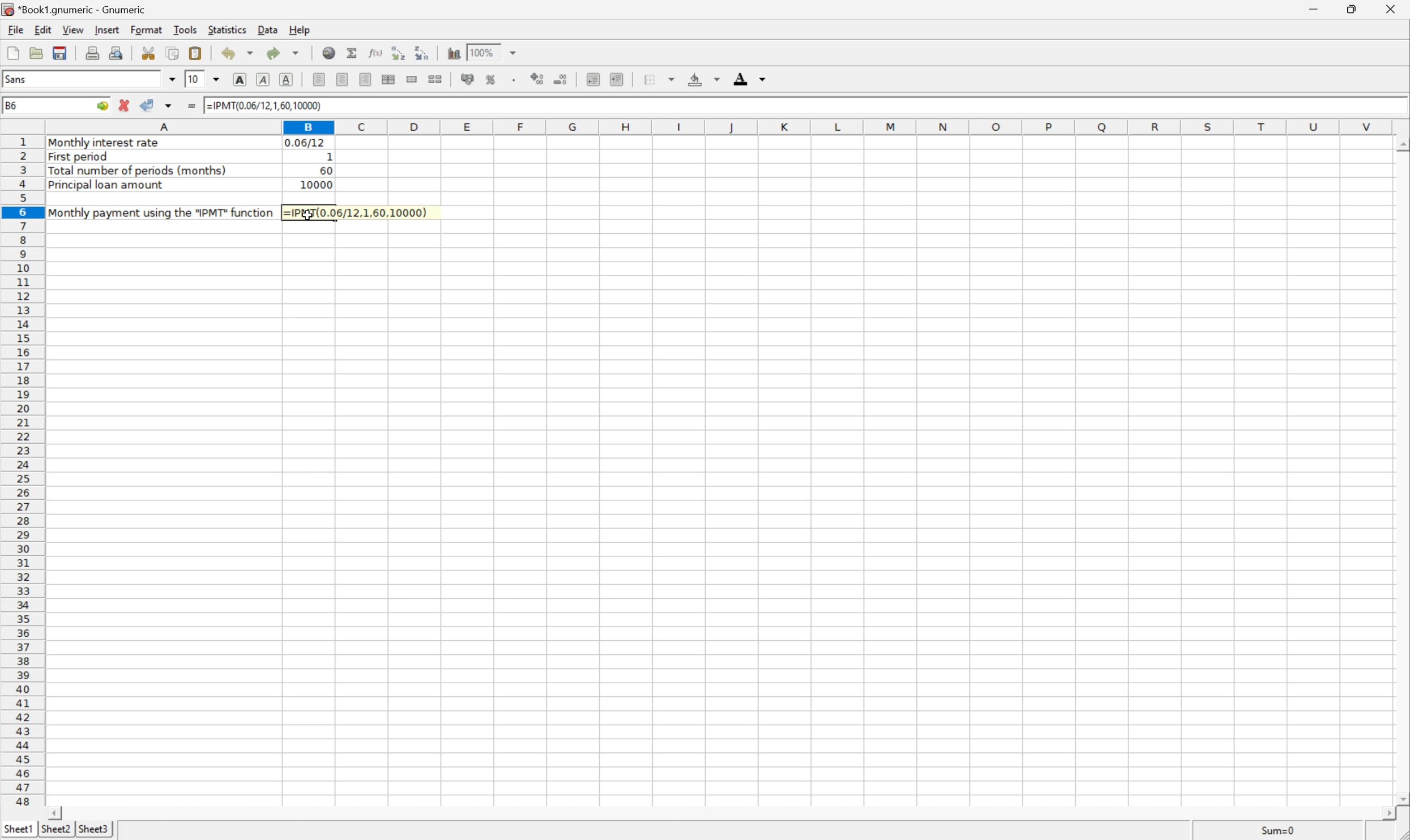  What do you see at coordinates (1352, 8) in the screenshot?
I see `Restore Down` at bounding box center [1352, 8].